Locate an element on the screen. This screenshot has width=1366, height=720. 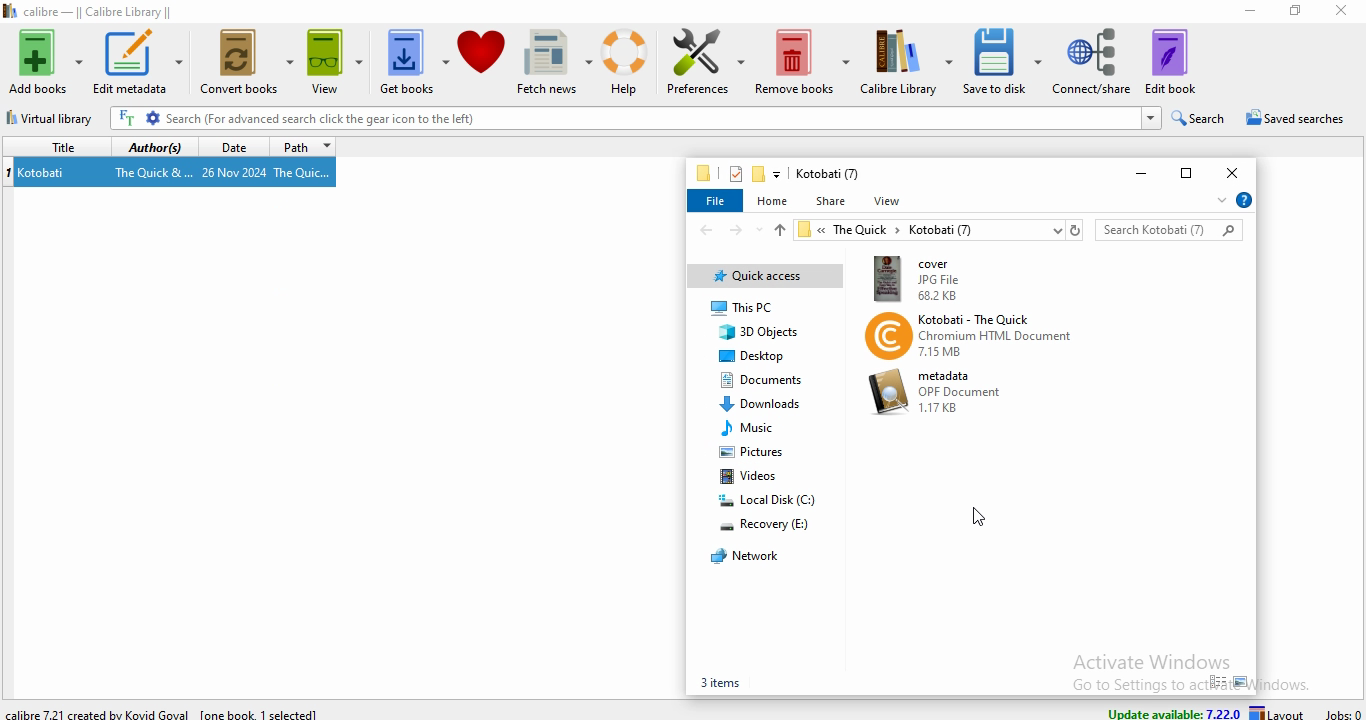
Search (For advanced search click the gear icon to the left) is located at coordinates (635, 118).